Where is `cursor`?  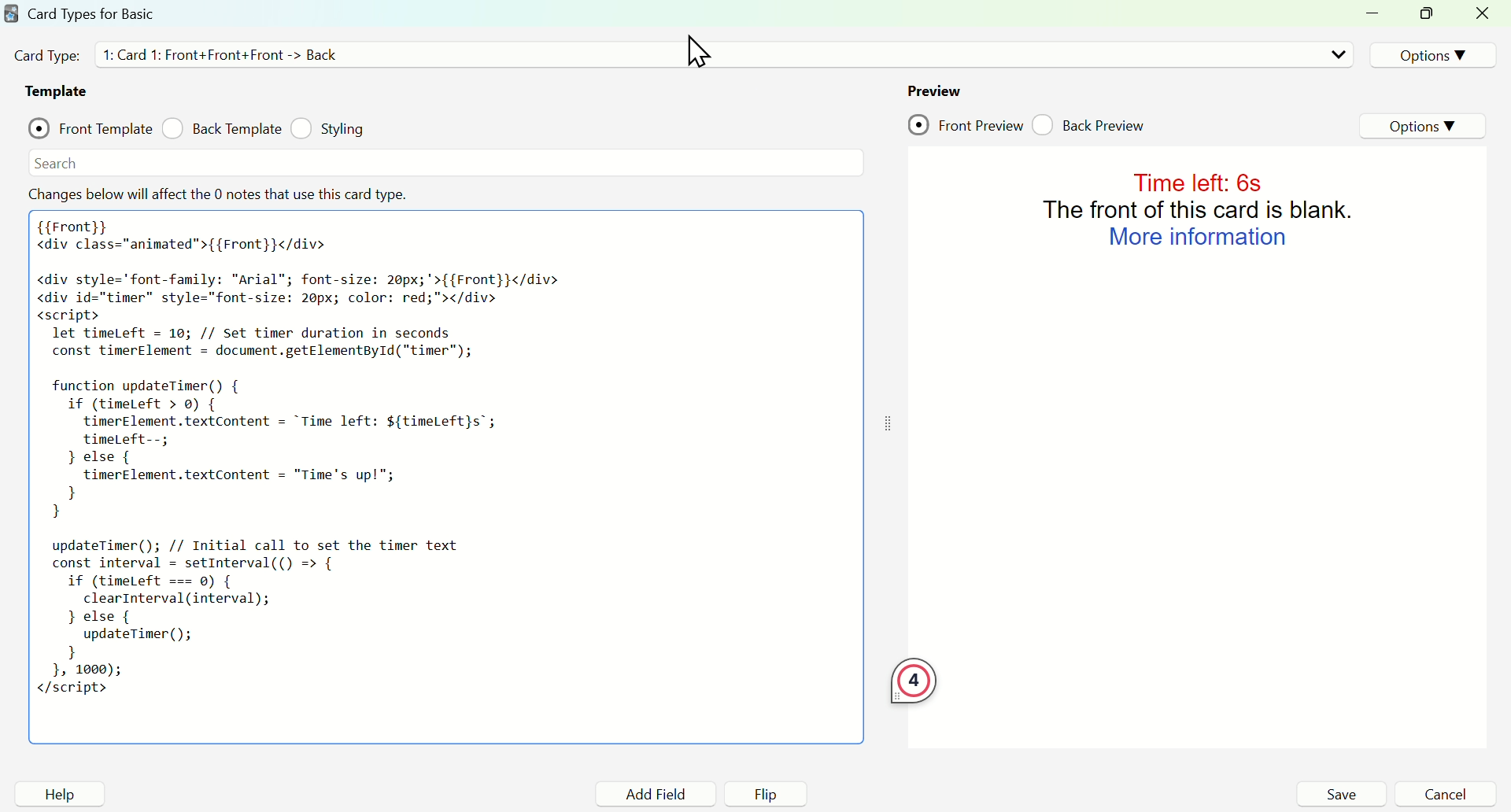
cursor is located at coordinates (698, 51).